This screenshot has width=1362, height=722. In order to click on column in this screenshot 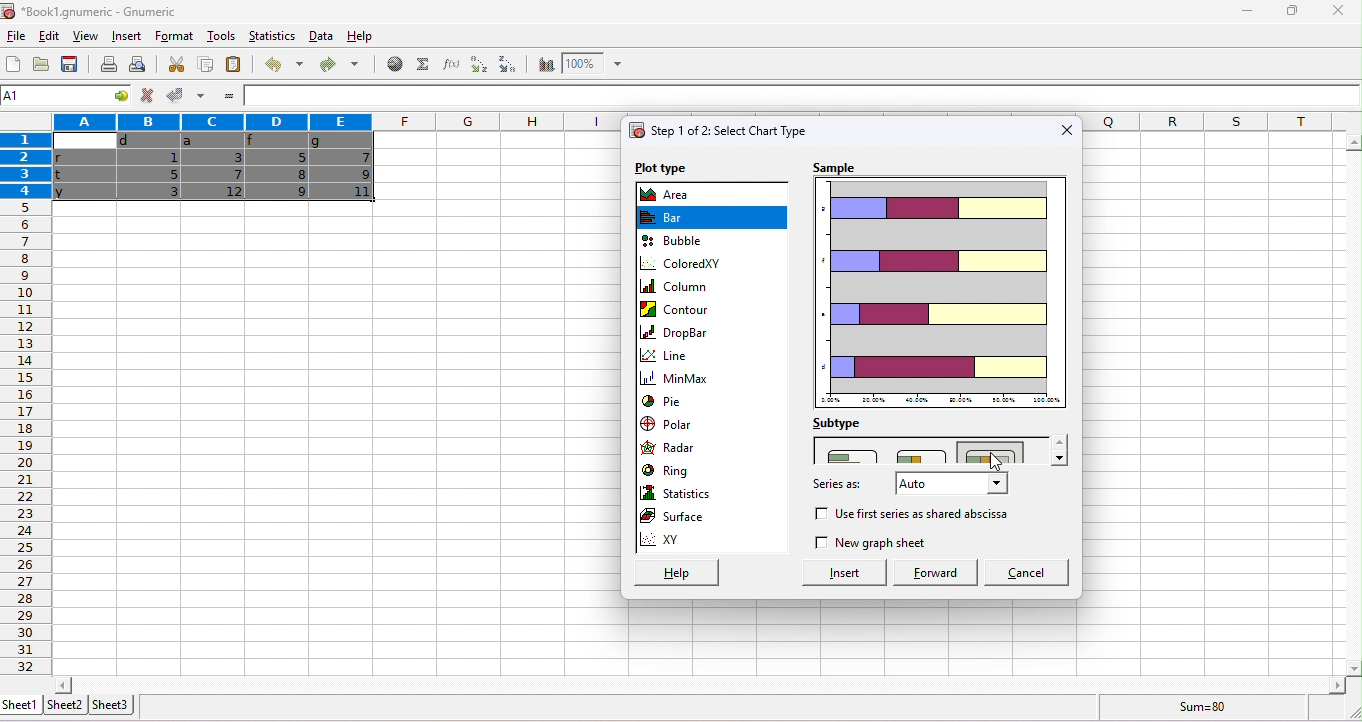, I will do `click(678, 289)`.